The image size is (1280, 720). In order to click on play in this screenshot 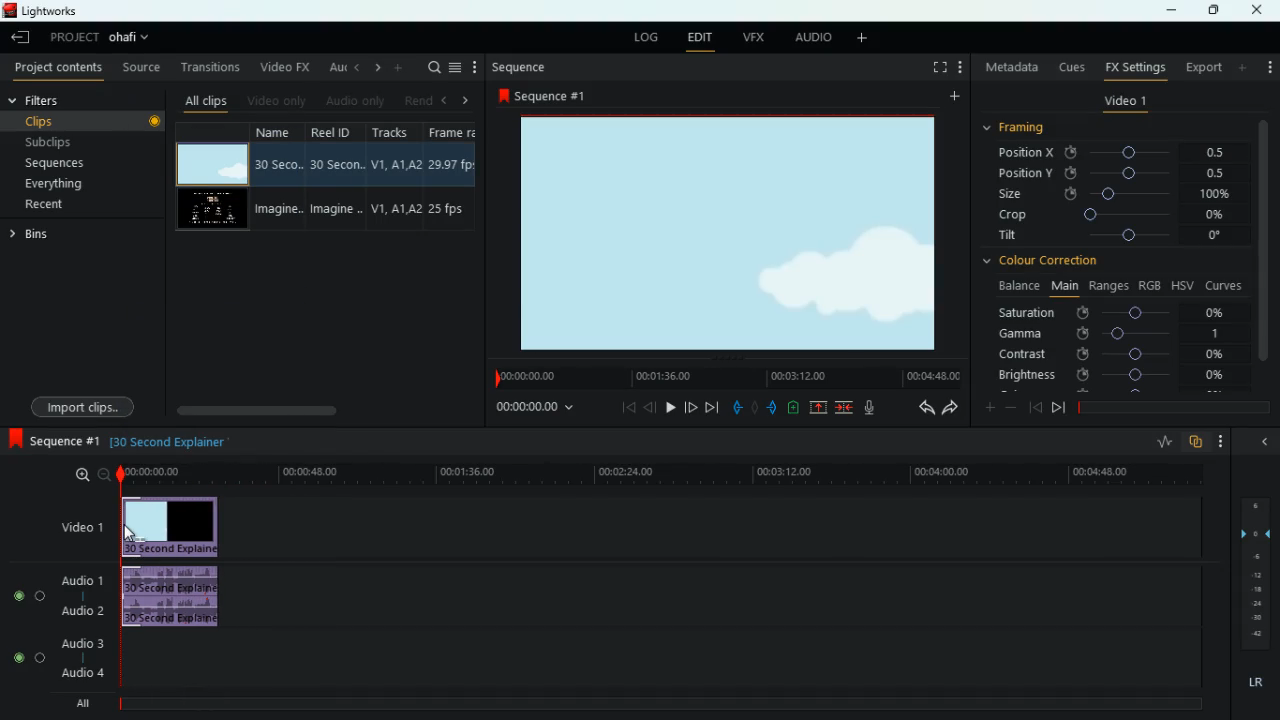, I will do `click(670, 408)`.